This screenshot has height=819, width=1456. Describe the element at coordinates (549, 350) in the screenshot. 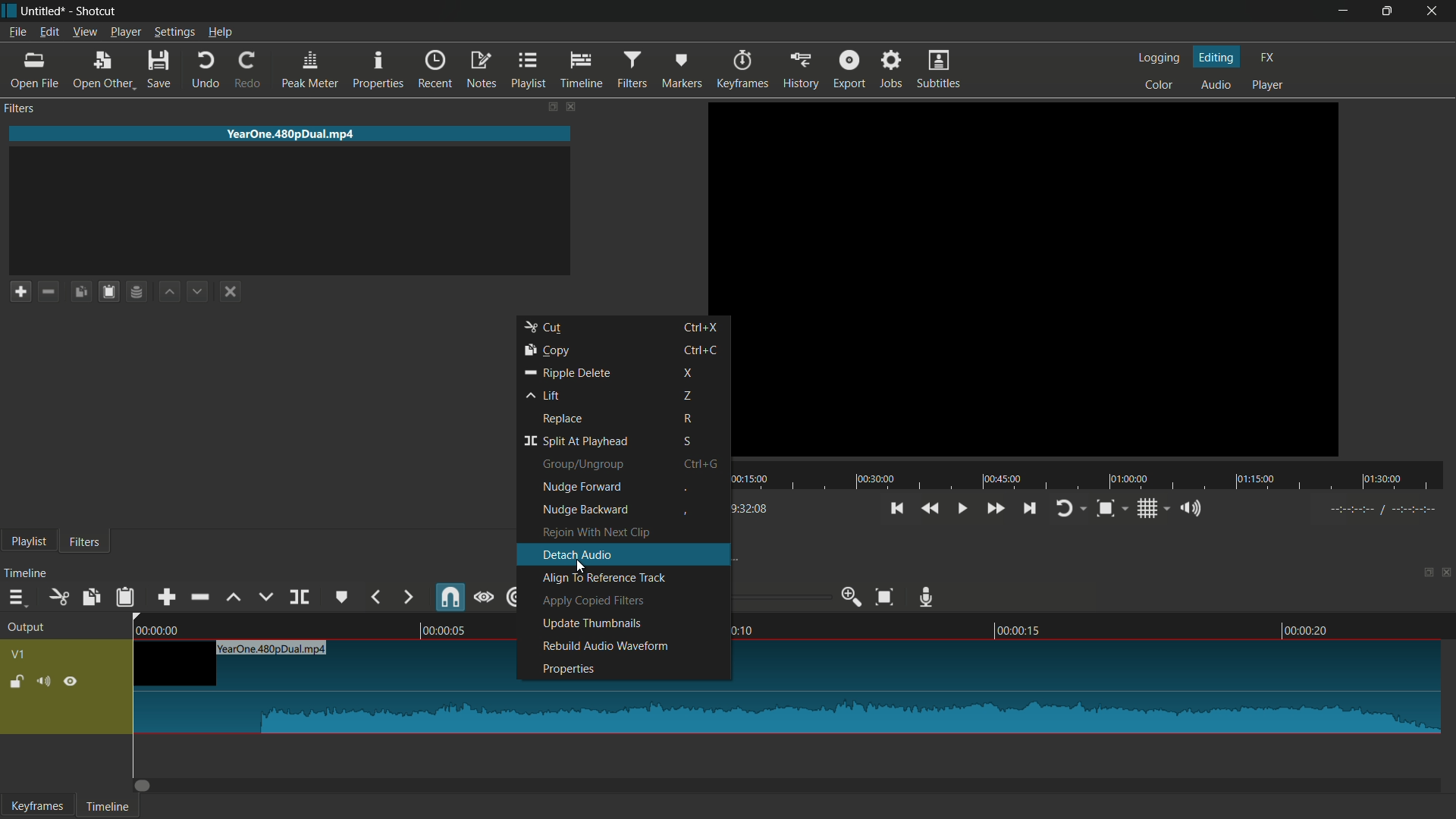

I see `copy` at that location.